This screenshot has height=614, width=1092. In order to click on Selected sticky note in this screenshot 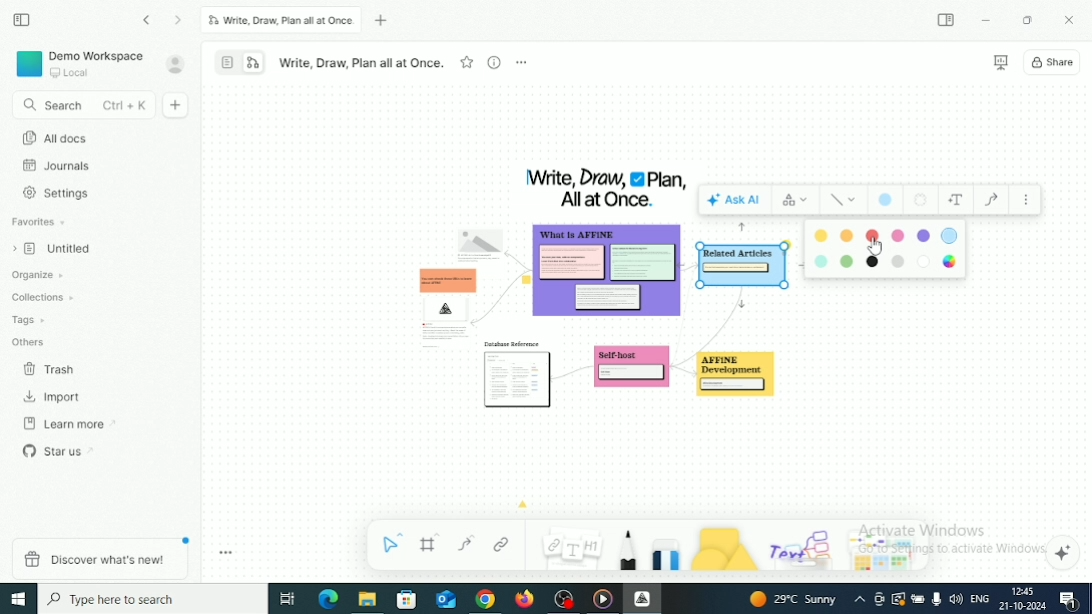, I will do `click(742, 267)`.